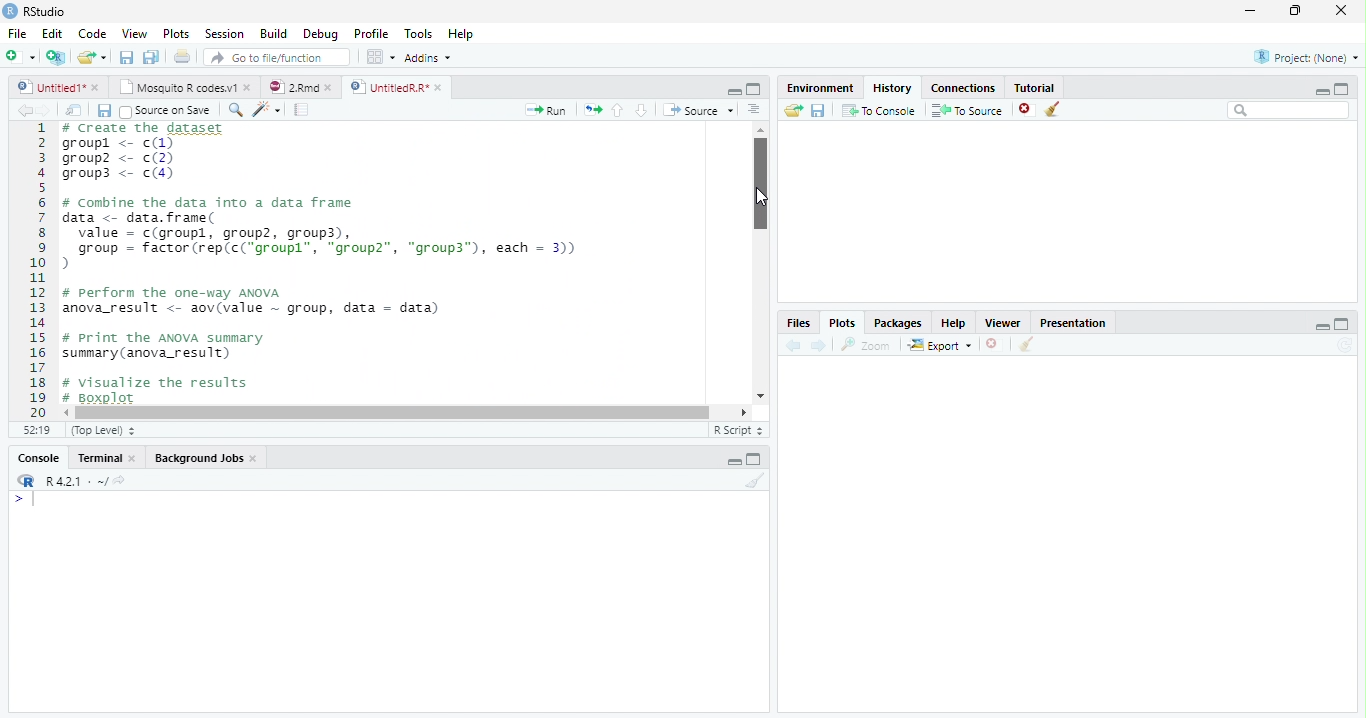  What do you see at coordinates (546, 110) in the screenshot?
I see `Run` at bounding box center [546, 110].